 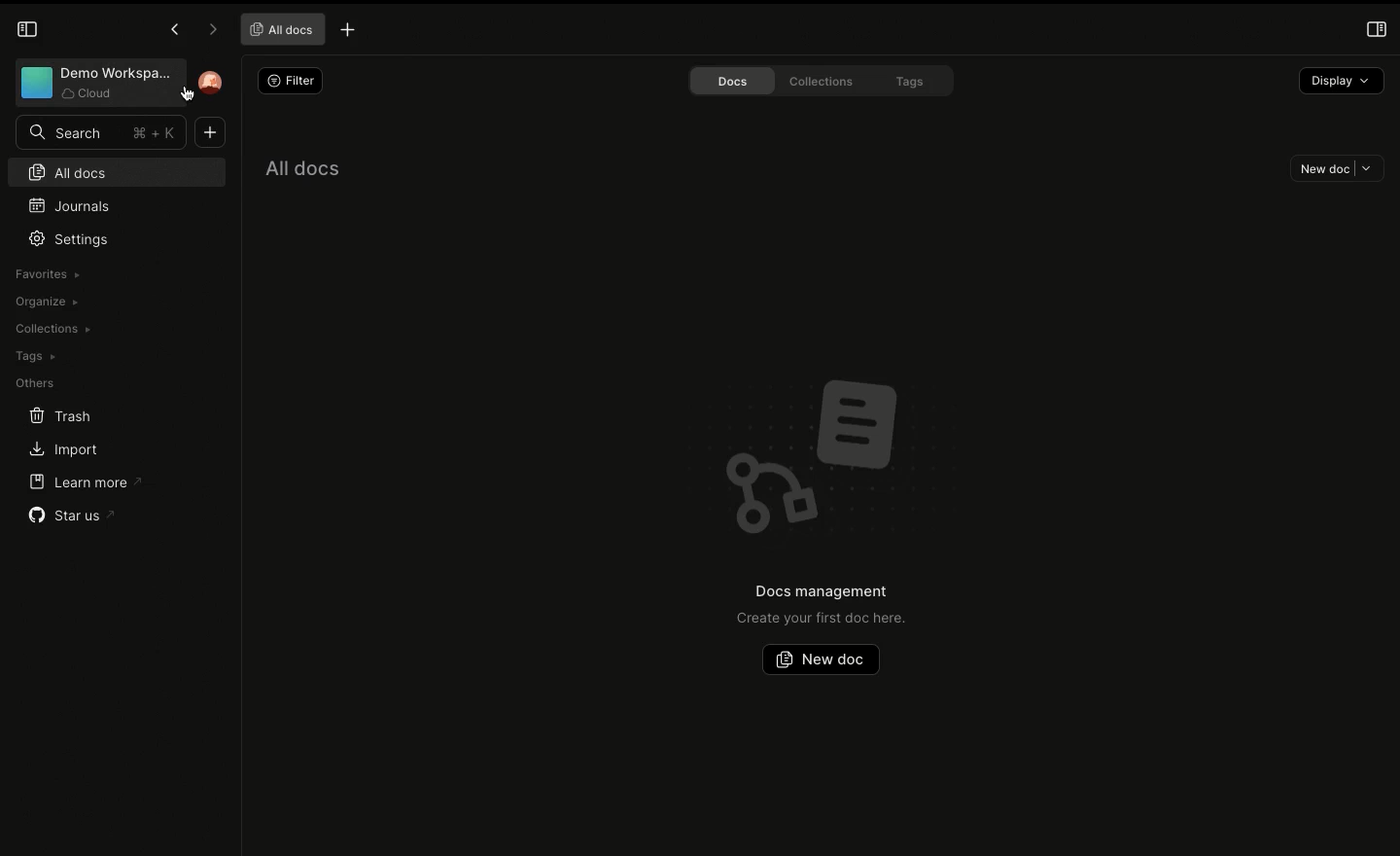 I want to click on Favorites, so click(x=46, y=274).